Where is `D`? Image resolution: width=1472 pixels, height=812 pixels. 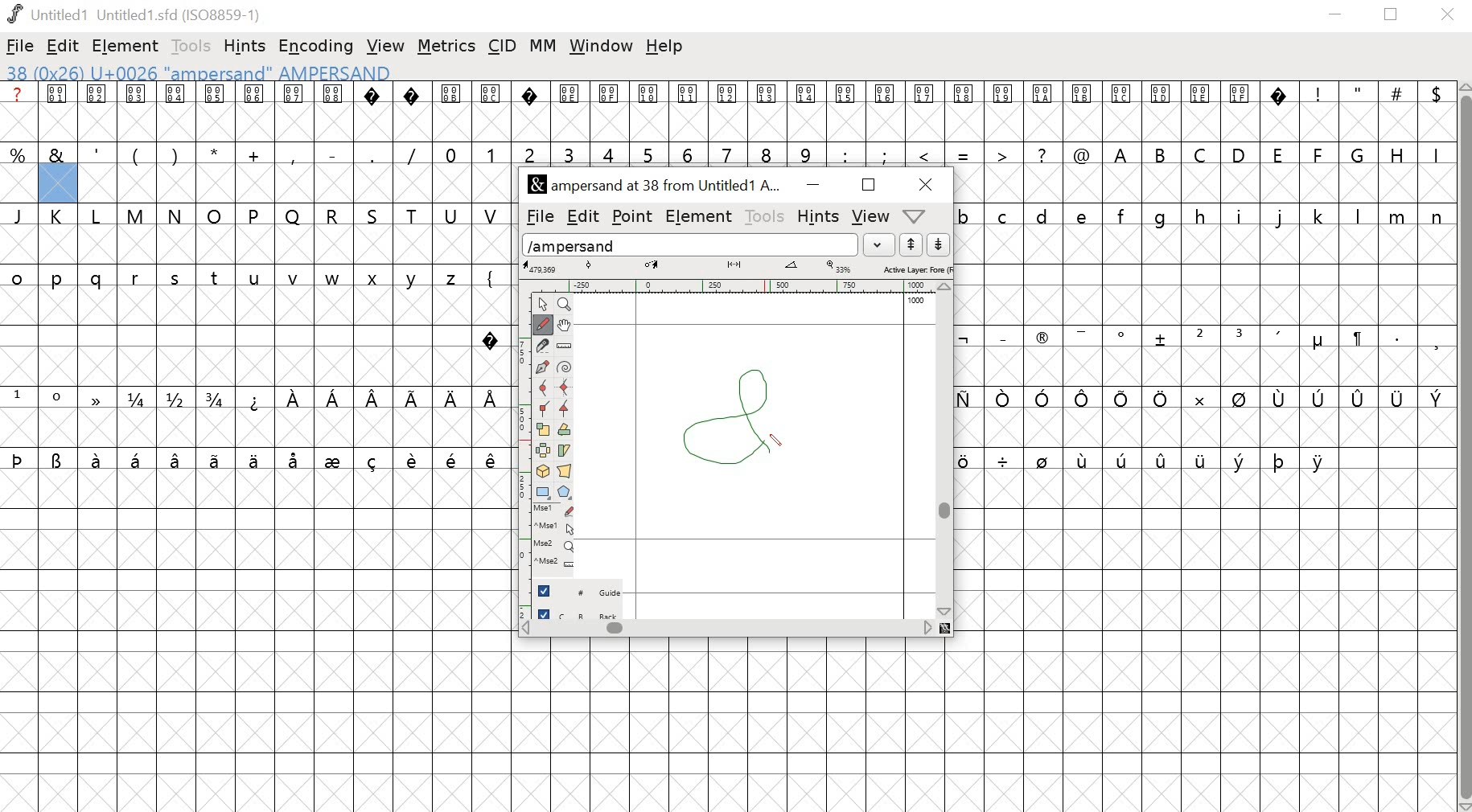 D is located at coordinates (1240, 154).